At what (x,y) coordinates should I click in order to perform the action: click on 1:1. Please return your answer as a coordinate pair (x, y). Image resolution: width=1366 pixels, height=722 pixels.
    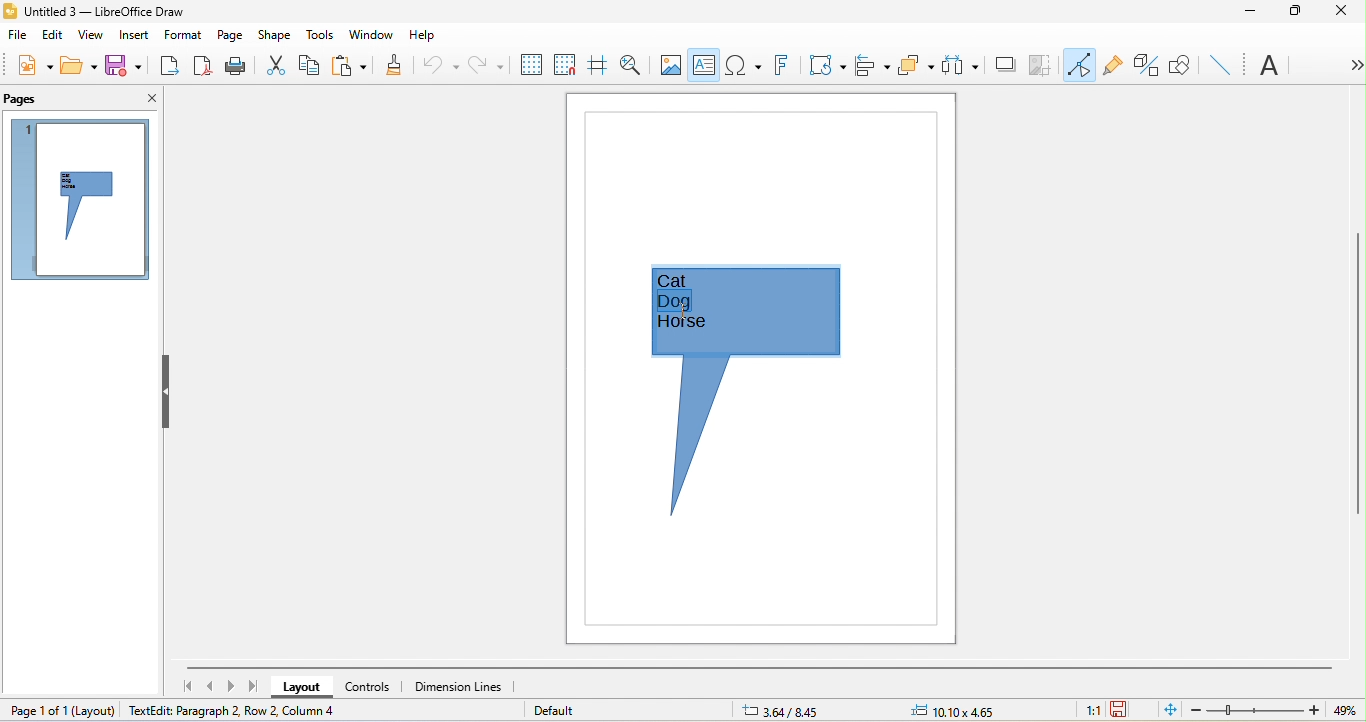
    Looking at the image, I should click on (1088, 710).